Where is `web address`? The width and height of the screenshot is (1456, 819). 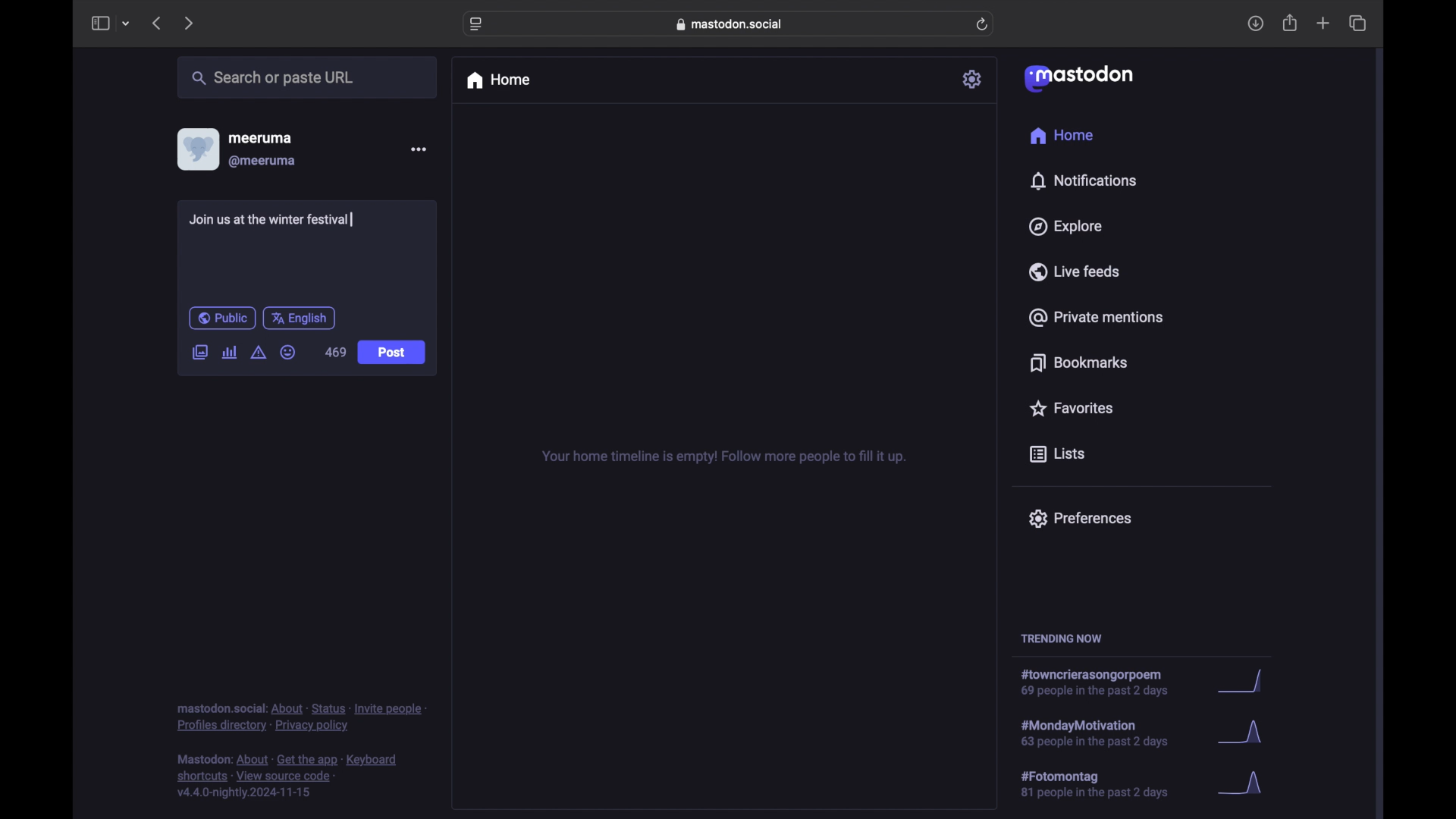
web address is located at coordinates (733, 24).